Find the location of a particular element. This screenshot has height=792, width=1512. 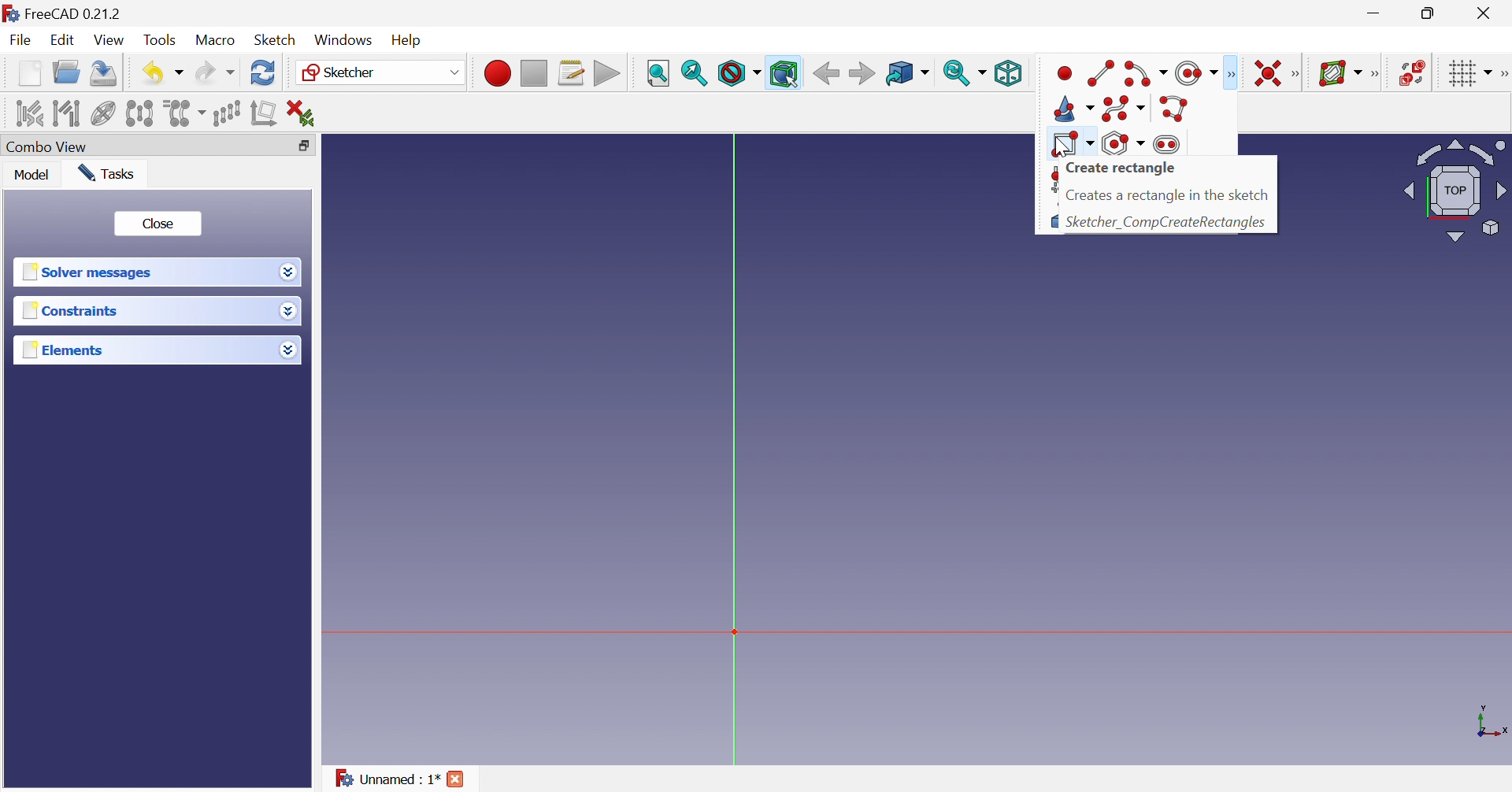

Switch space is located at coordinates (1414, 72).